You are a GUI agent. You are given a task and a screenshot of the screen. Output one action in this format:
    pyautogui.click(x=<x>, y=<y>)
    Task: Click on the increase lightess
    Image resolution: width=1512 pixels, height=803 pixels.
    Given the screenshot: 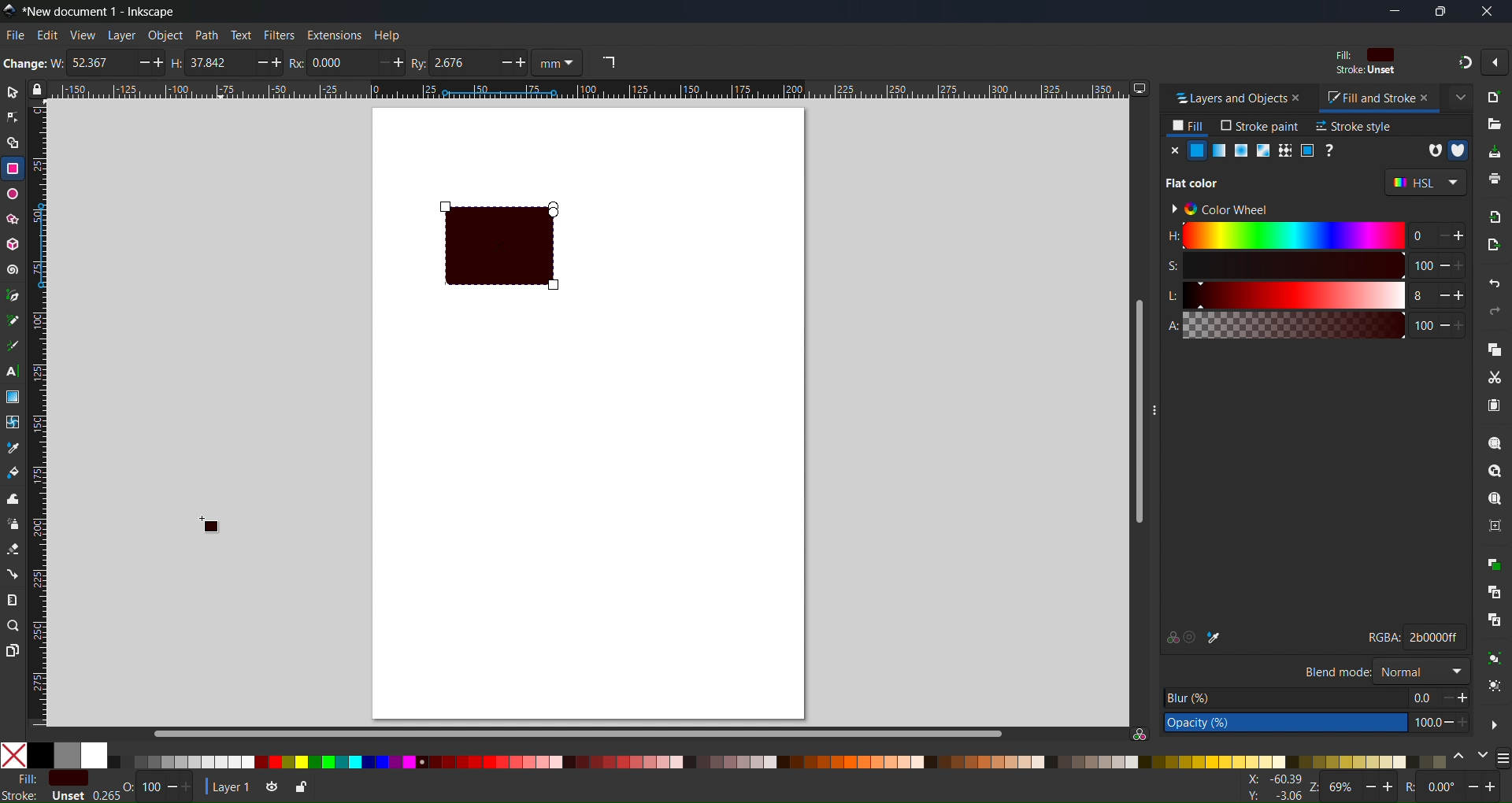 What is the action you would take?
    pyautogui.click(x=1462, y=294)
    